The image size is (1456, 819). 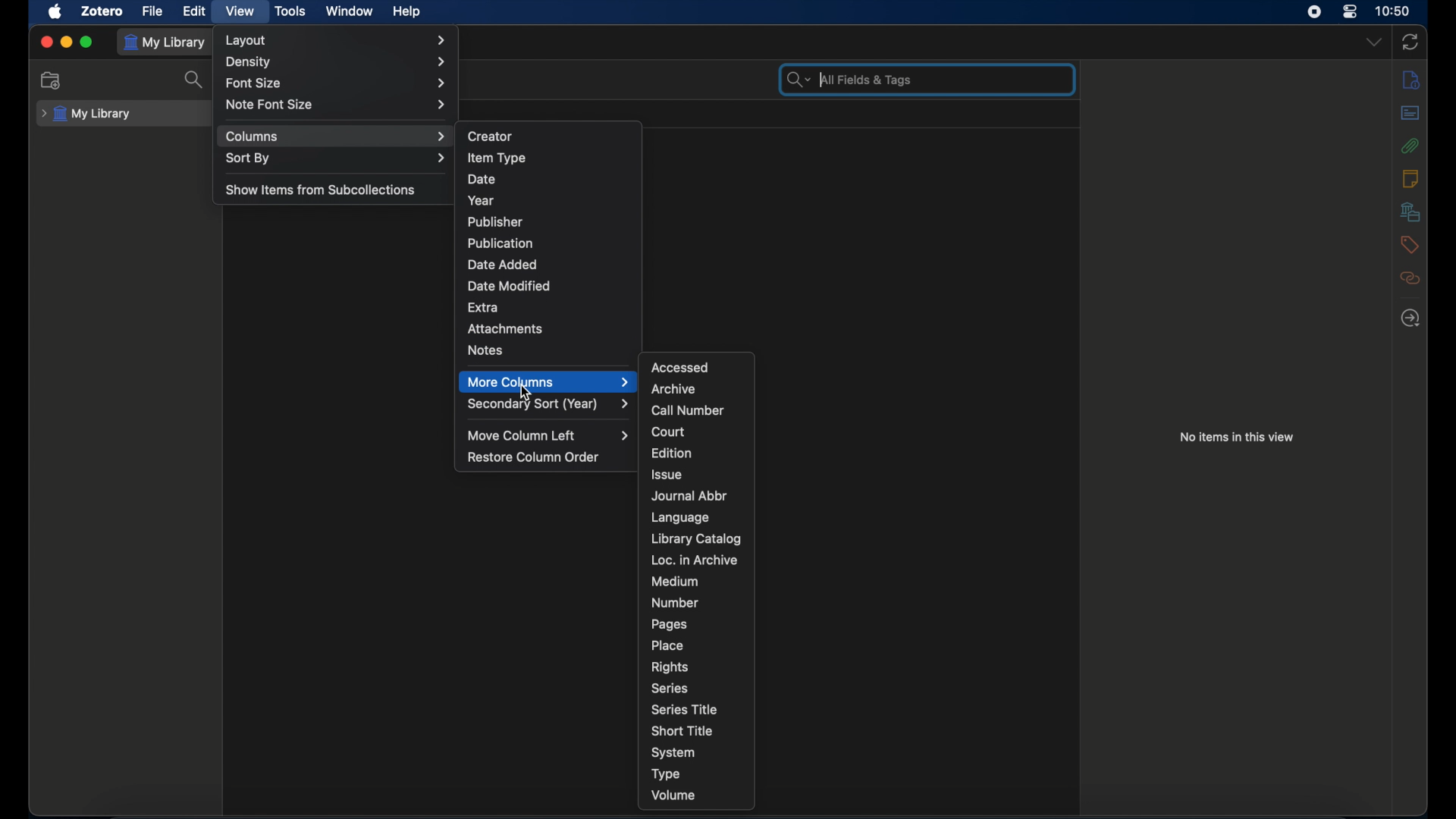 What do you see at coordinates (1411, 318) in the screenshot?
I see `locate` at bounding box center [1411, 318].